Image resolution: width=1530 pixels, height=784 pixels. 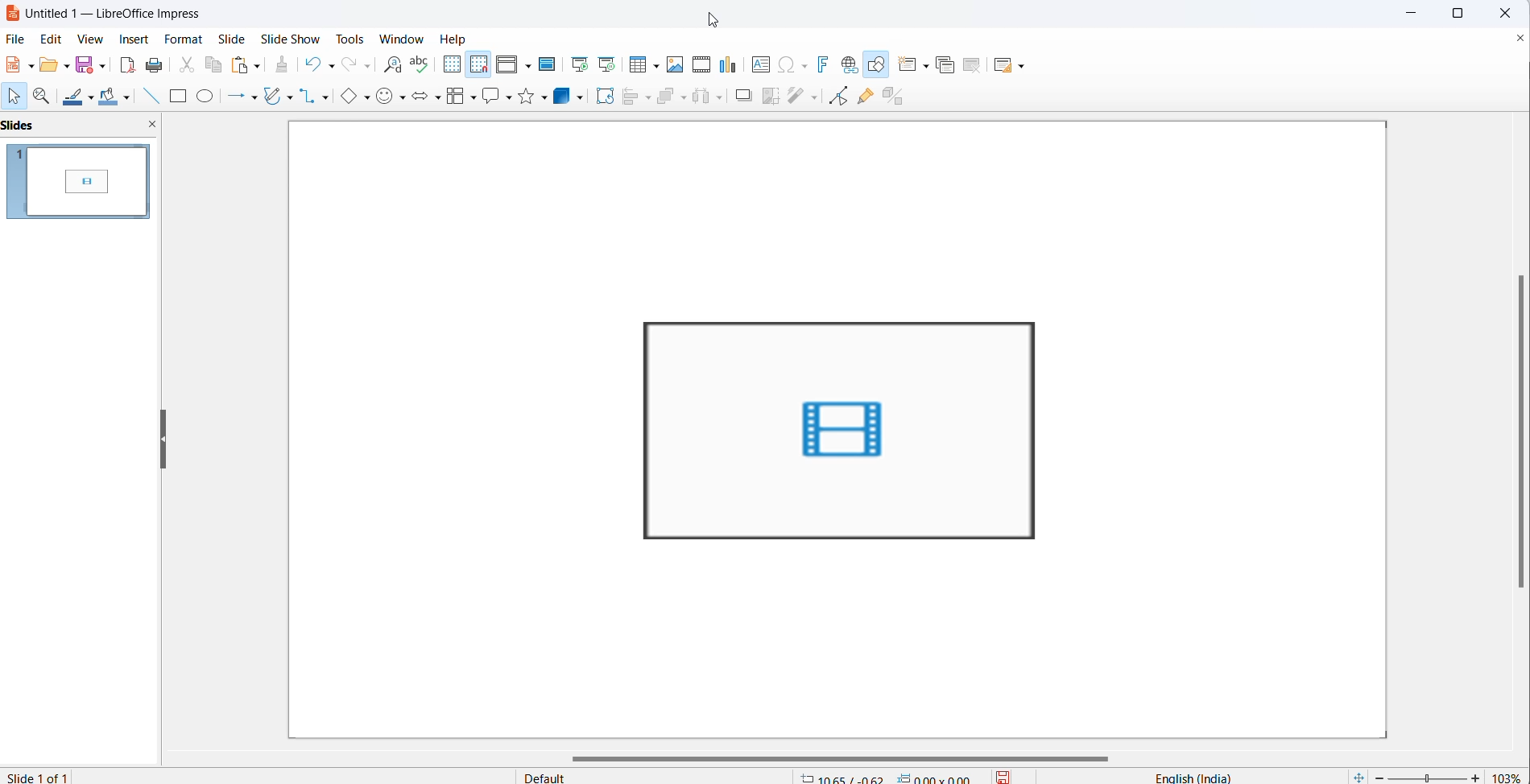 What do you see at coordinates (328, 97) in the screenshot?
I see `connectors options` at bounding box center [328, 97].